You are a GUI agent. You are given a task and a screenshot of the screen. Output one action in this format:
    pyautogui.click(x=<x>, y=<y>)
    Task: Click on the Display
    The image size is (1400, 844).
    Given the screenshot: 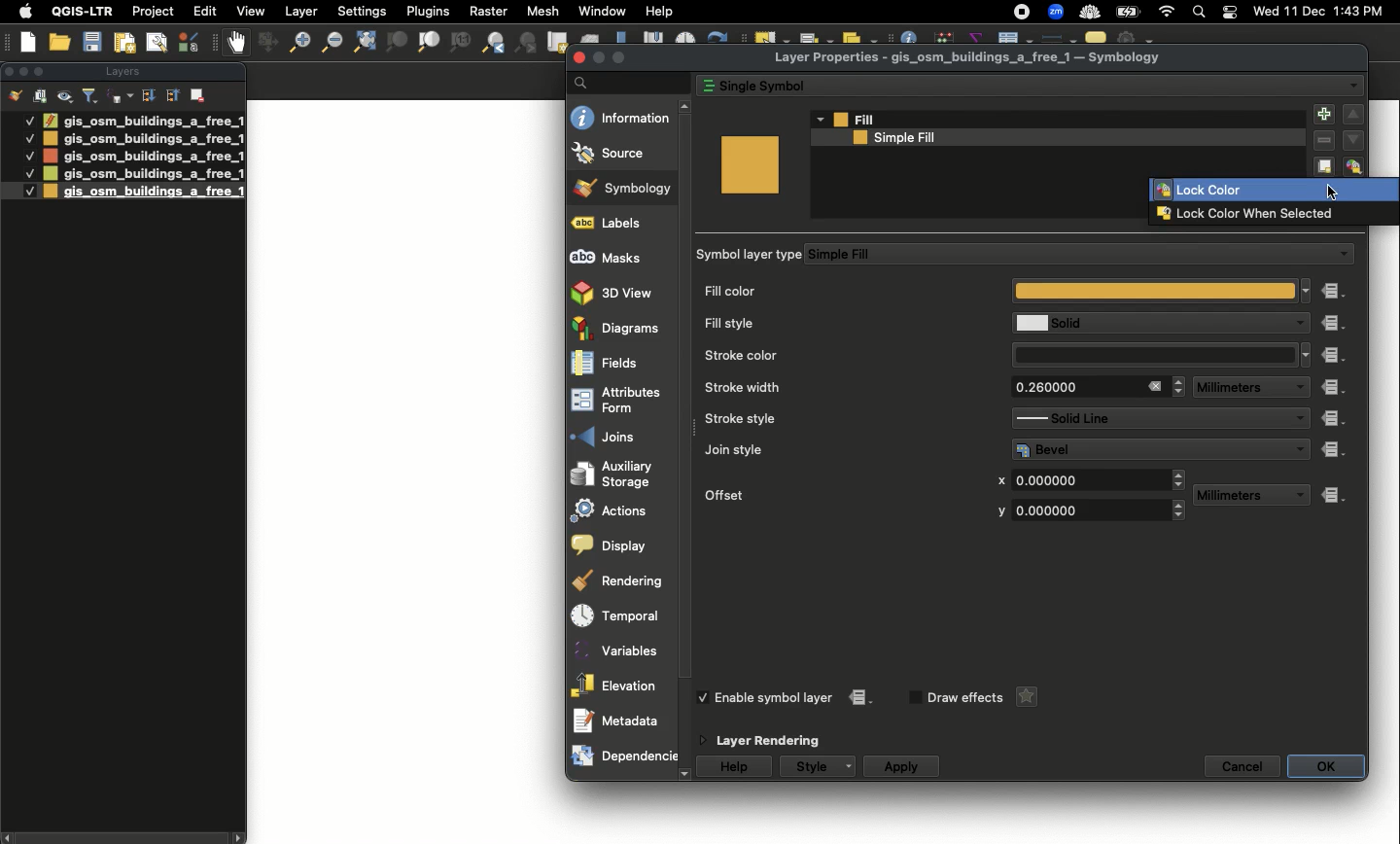 What is the action you would take?
    pyautogui.click(x=617, y=545)
    